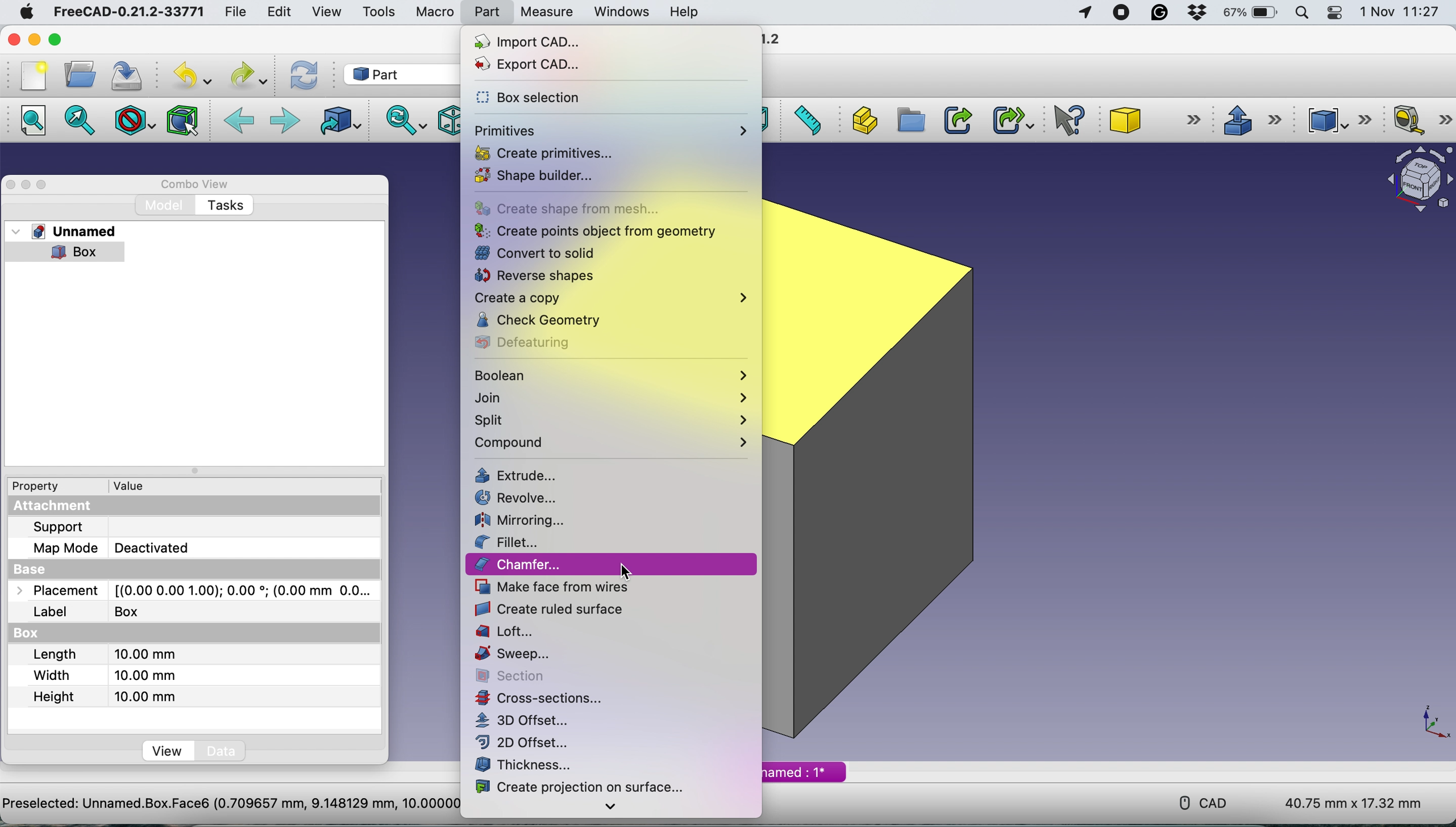  Describe the element at coordinates (541, 43) in the screenshot. I see `import cad` at that location.